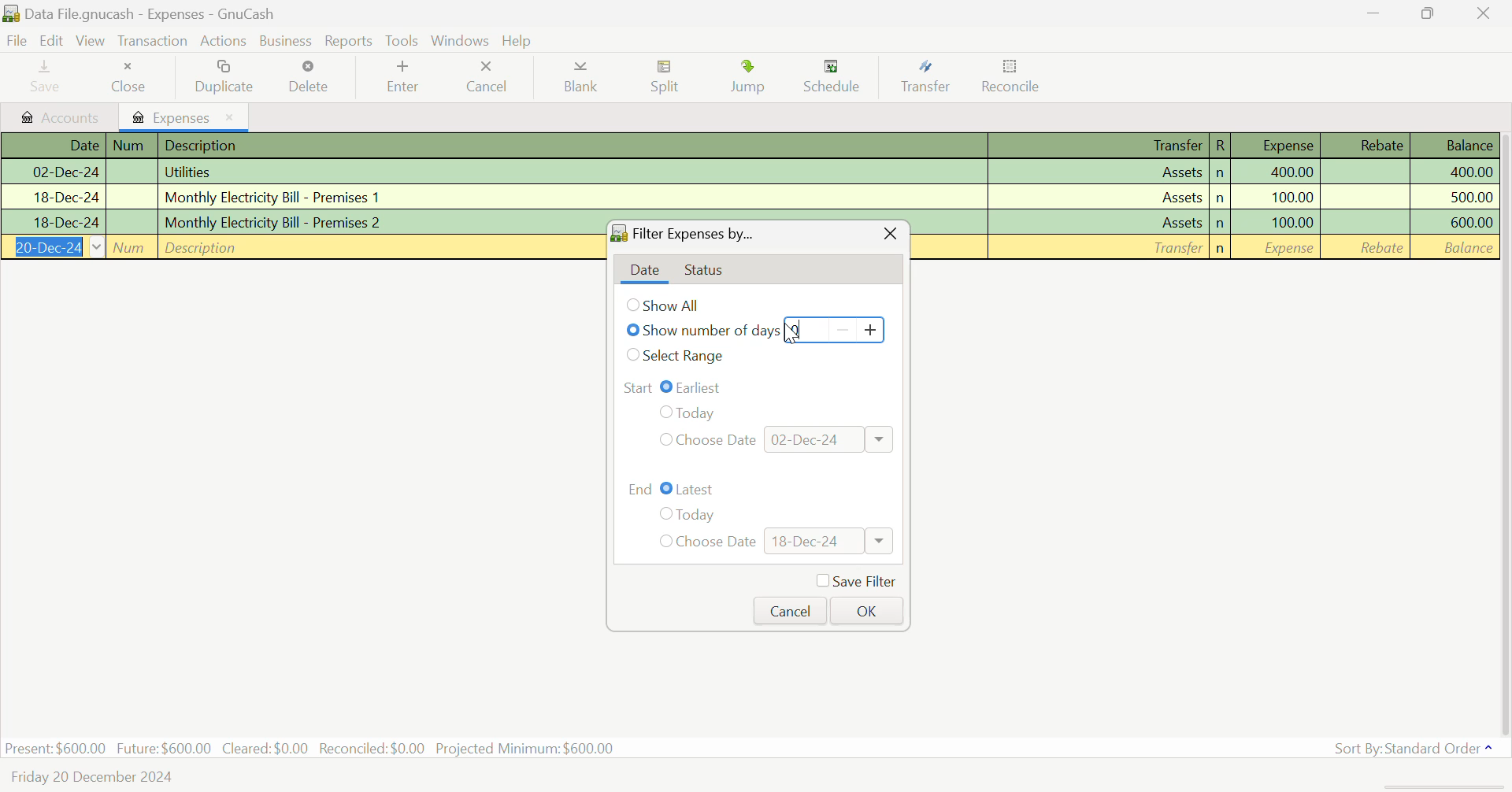 The image size is (1512, 792). Describe the element at coordinates (855, 580) in the screenshot. I see `Save Filter Checkbox` at that location.